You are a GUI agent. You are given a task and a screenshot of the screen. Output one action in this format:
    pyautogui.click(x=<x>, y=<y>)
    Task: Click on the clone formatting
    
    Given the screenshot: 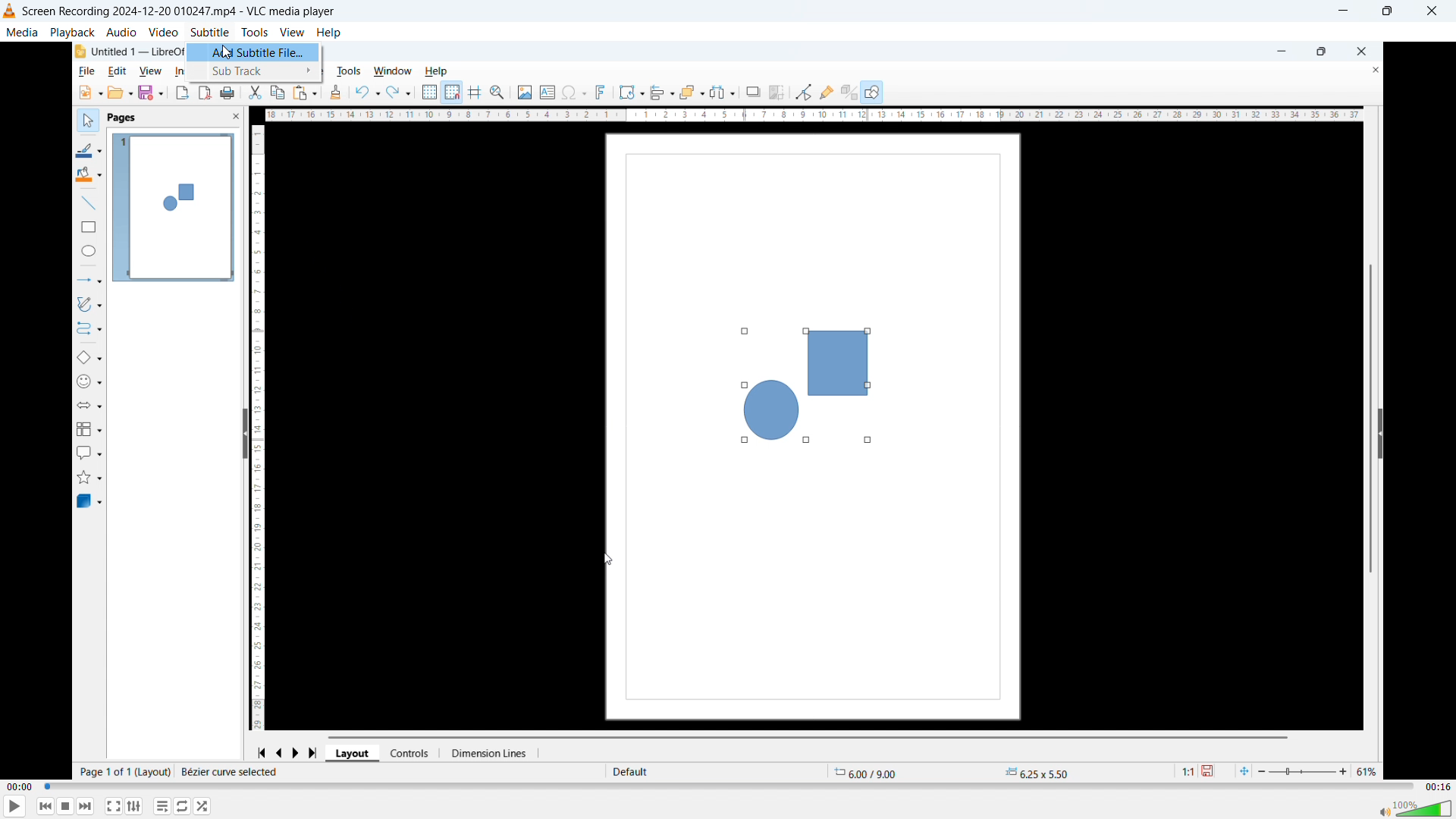 What is the action you would take?
    pyautogui.click(x=335, y=93)
    